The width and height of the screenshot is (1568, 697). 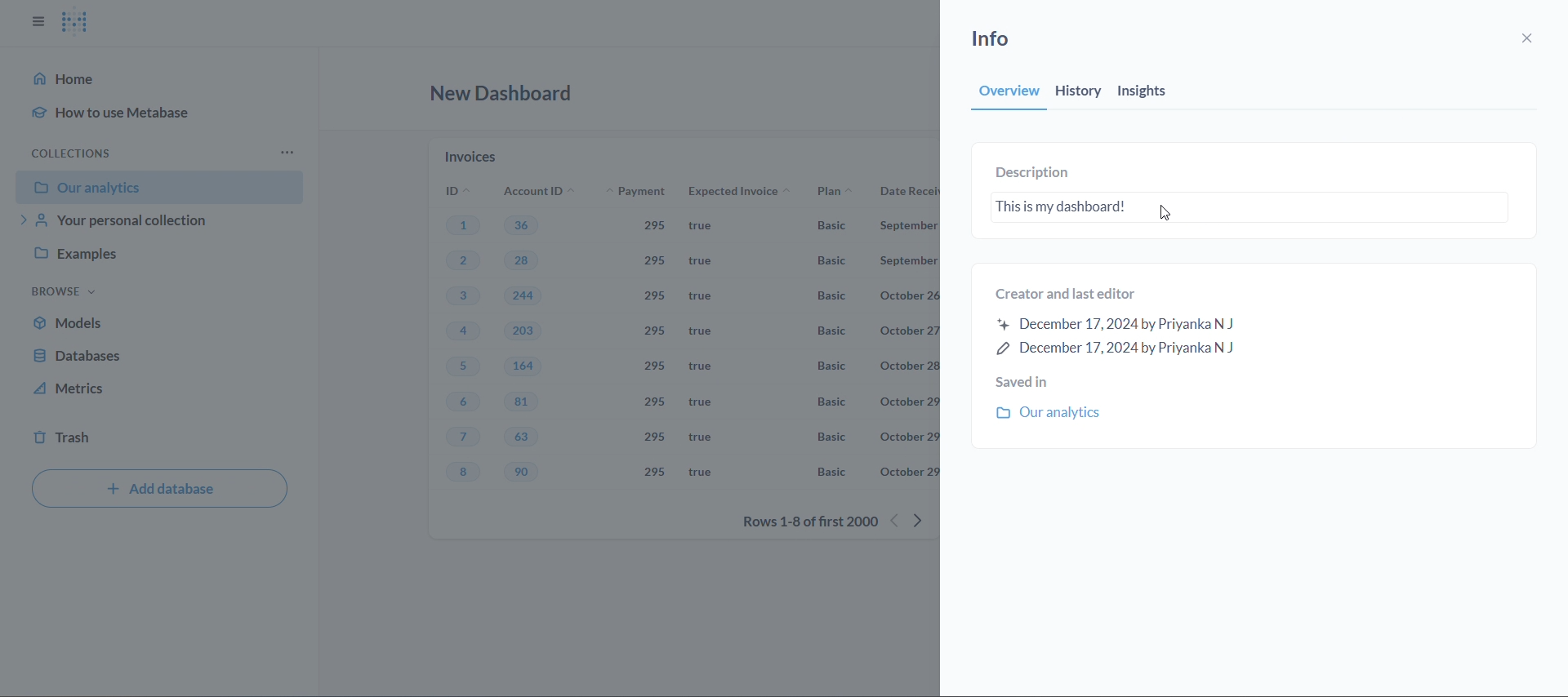 What do you see at coordinates (659, 436) in the screenshot?
I see `295` at bounding box center [659, 436].